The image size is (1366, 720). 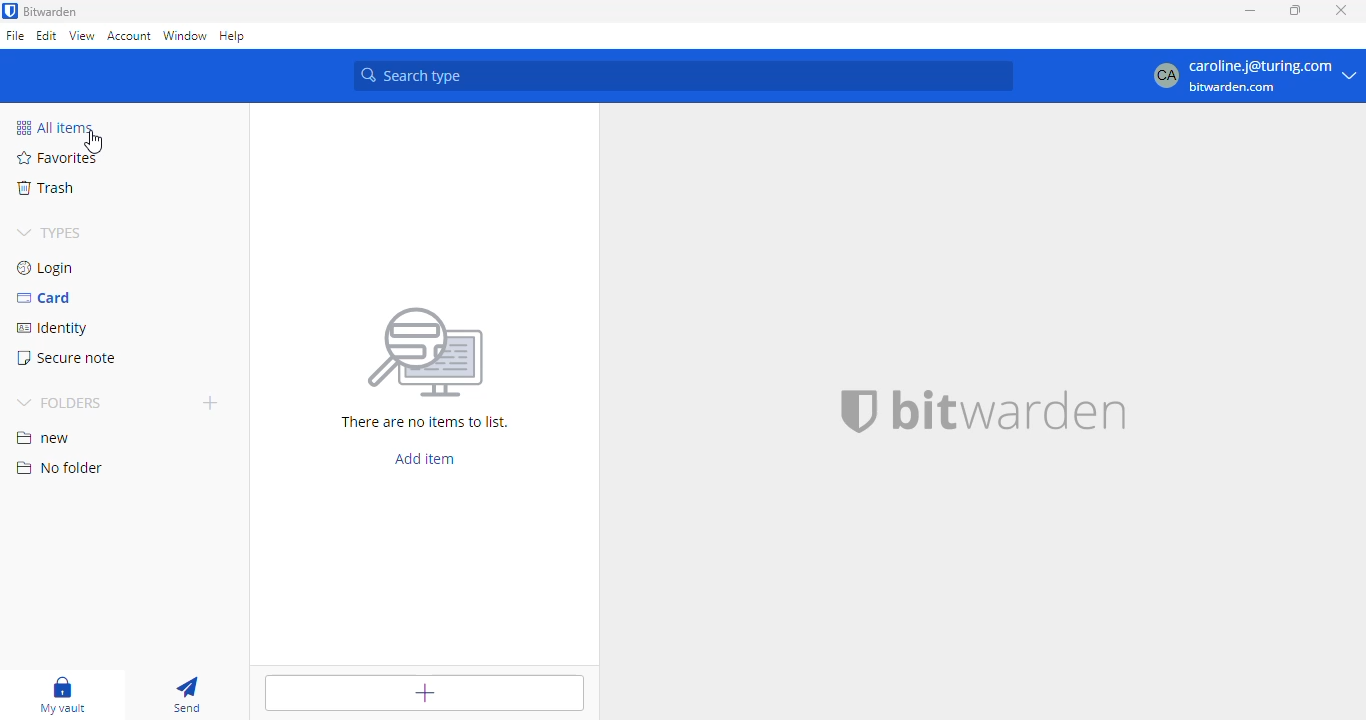 I want to click on add item, so click(x=423, y=692).